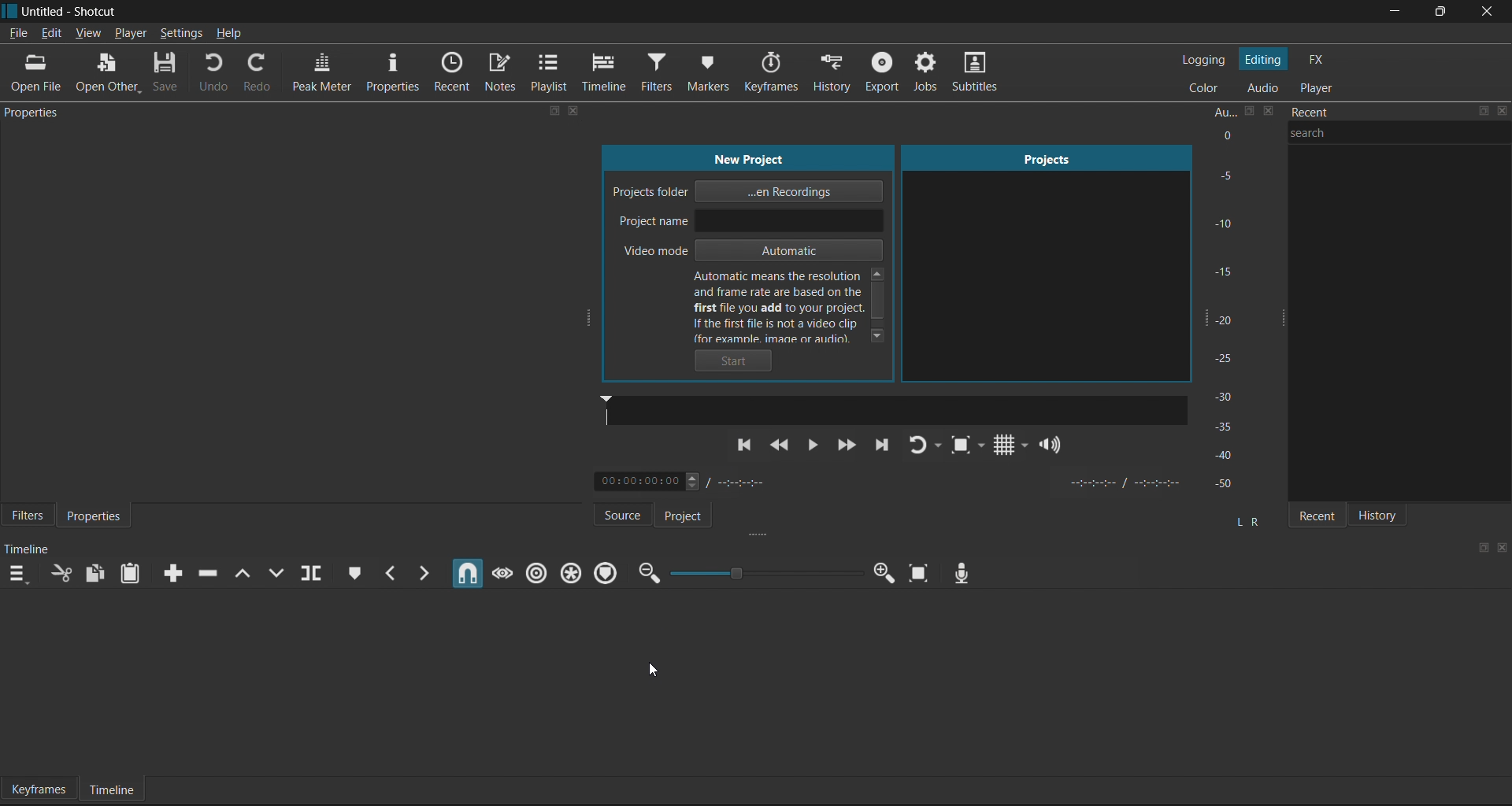 This screenshot has height=806, width=1512. What do you see at coordinates (130, 32) in the screenshot?
I see `Player` at bounding box center [130, 32].